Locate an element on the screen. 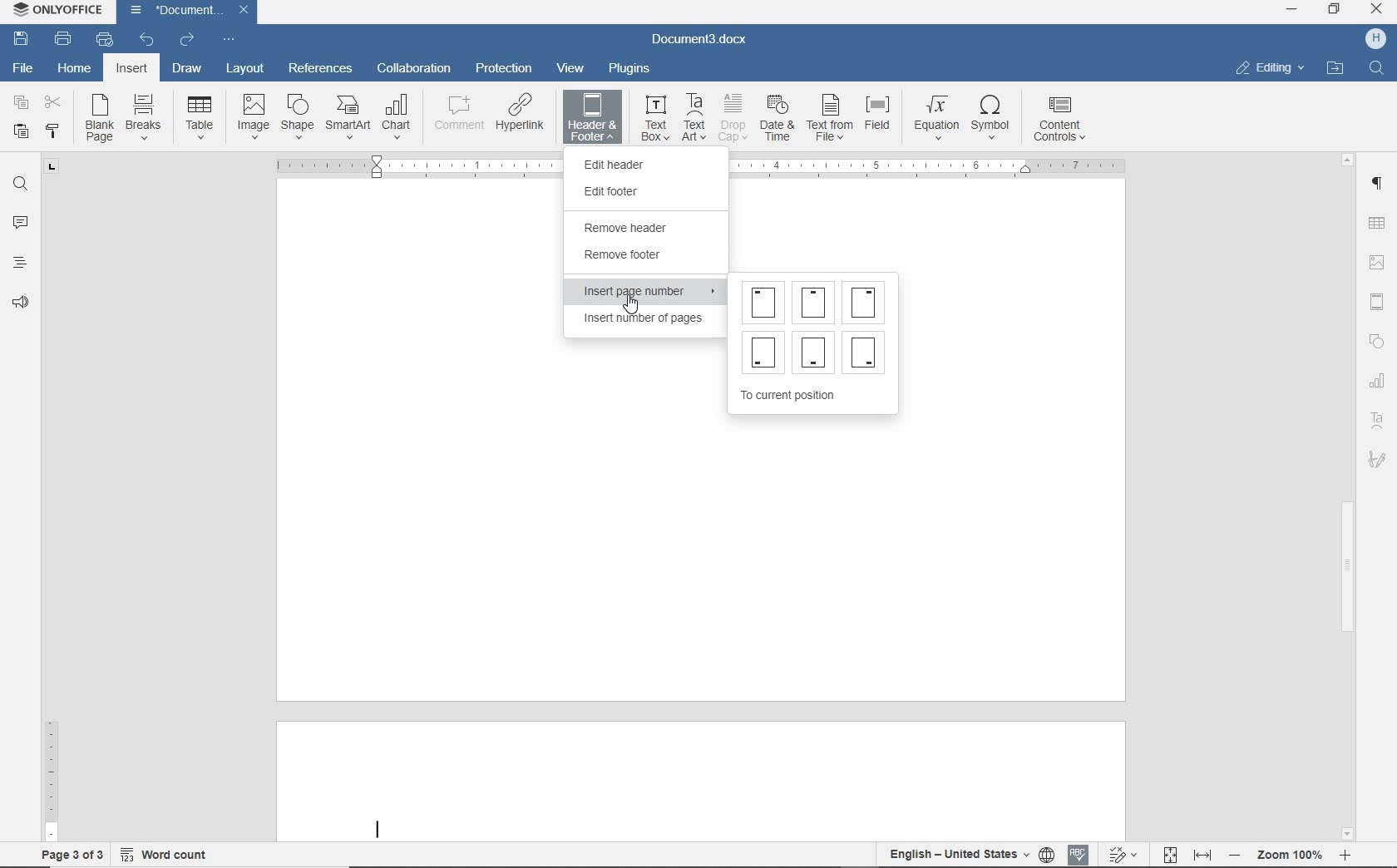 Image resolution: width=1397 pixels, height=868 pixels. TEXT ART is located at coordinates (695, 117).